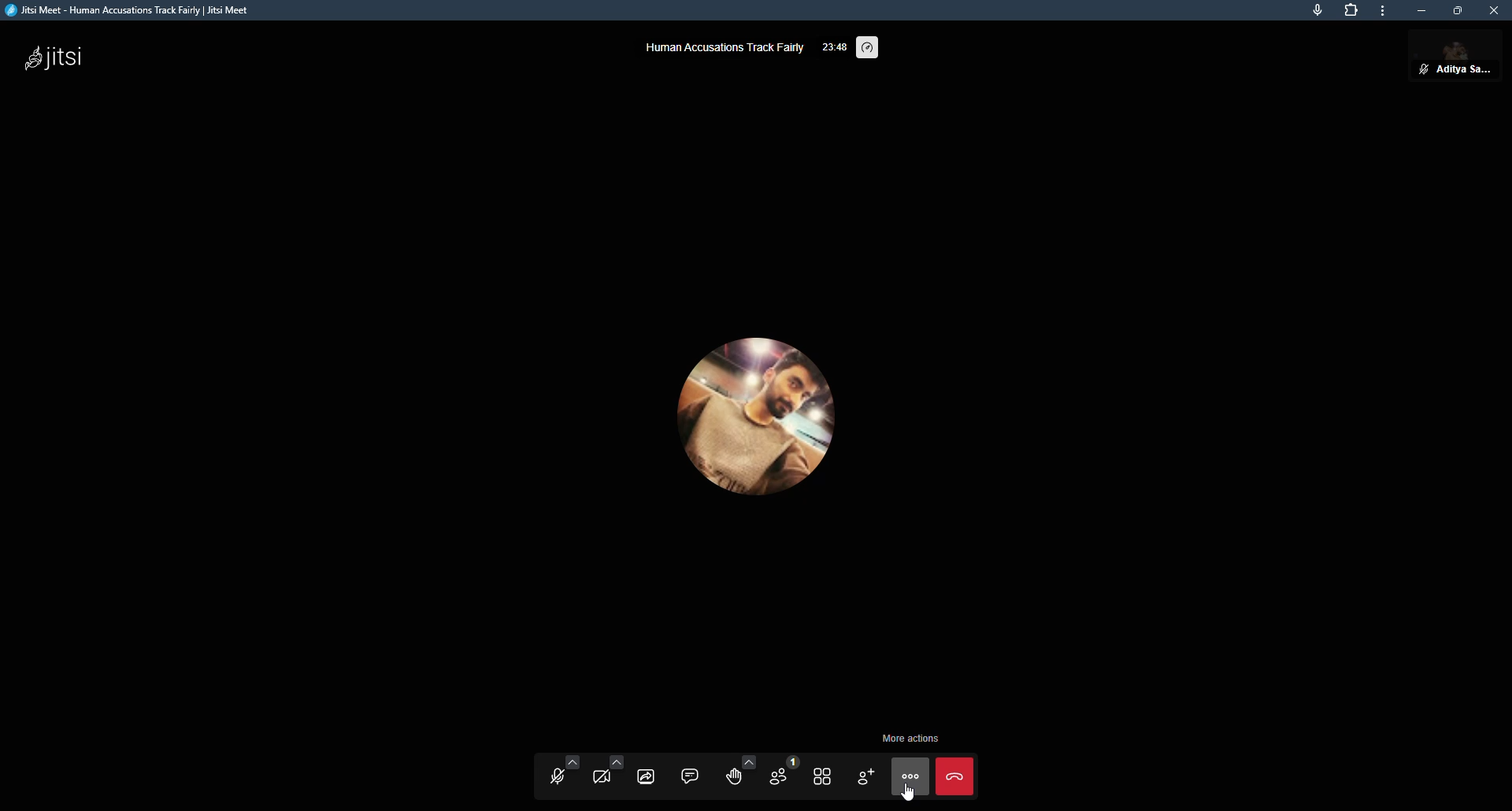  What do you see at coordinates (690, 774) in the screenshot?
I see `chat` at bounding box center [690, 774].